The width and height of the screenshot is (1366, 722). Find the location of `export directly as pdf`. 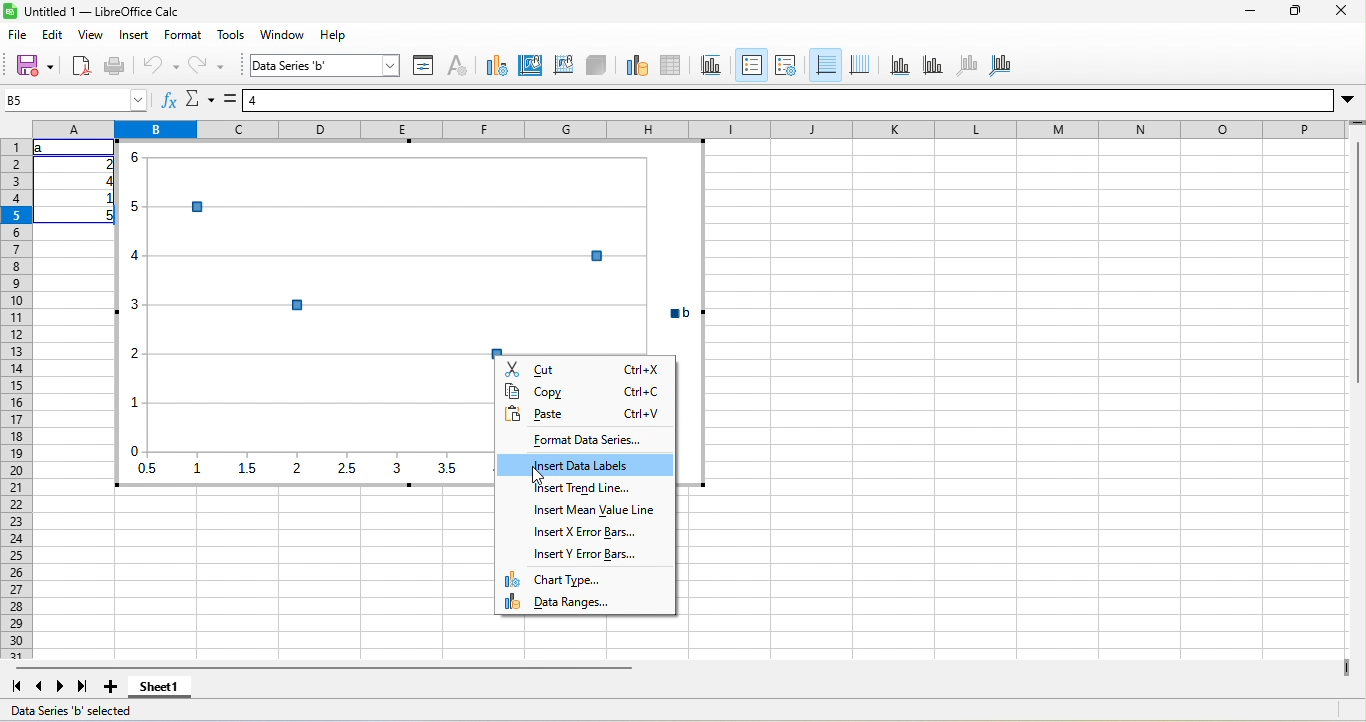

export directly as pdf is located at coordinates (81, 66).